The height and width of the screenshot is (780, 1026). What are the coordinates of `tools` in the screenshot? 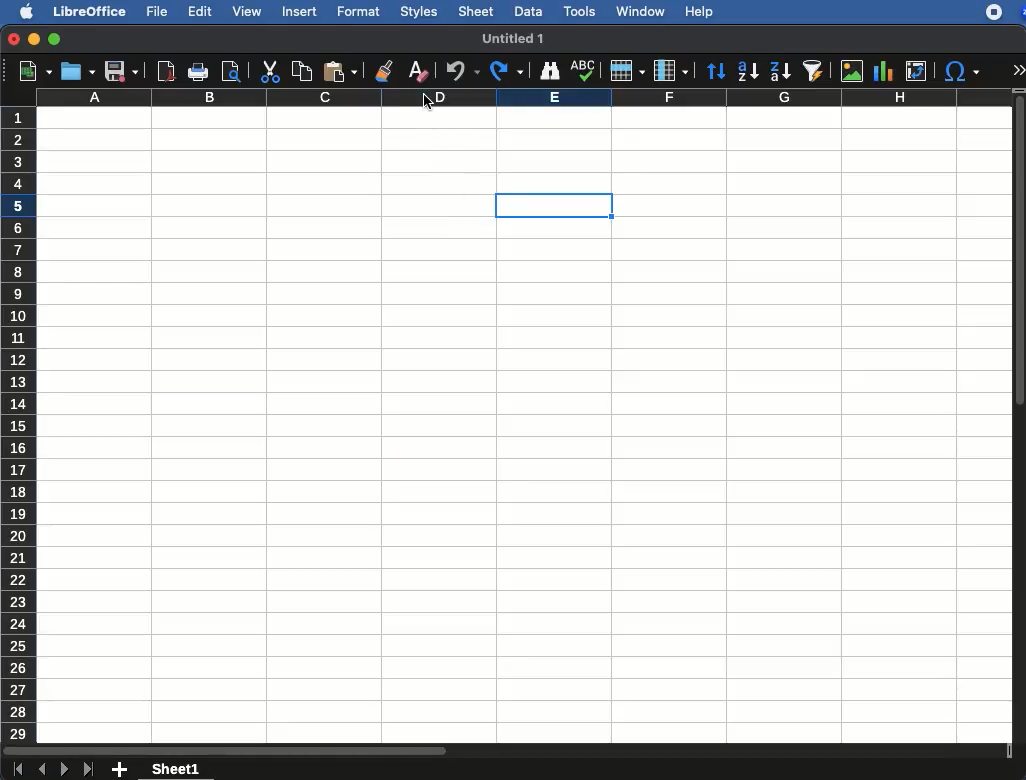 It's located at (578, 10).